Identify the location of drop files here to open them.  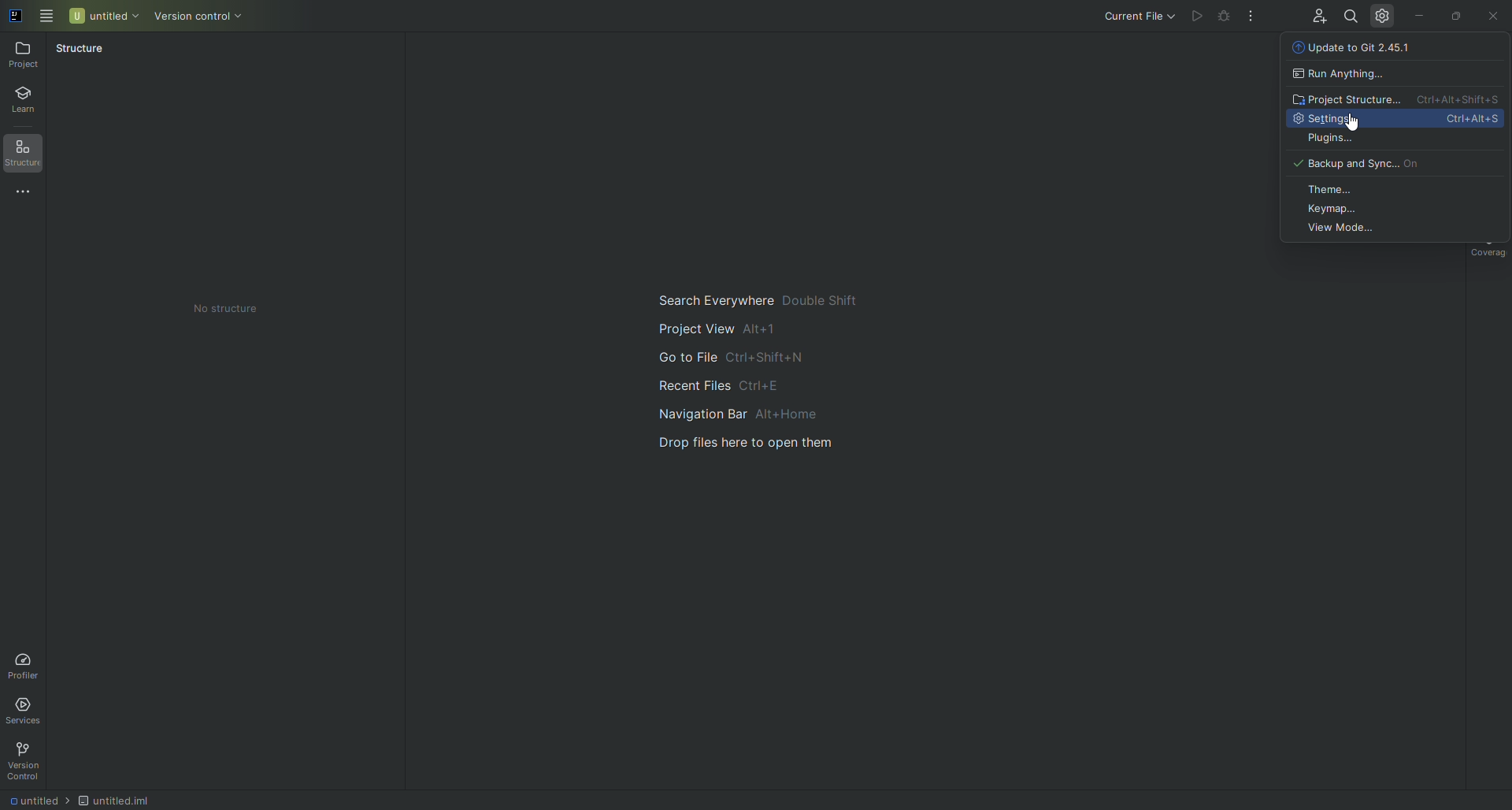
(772, 452).